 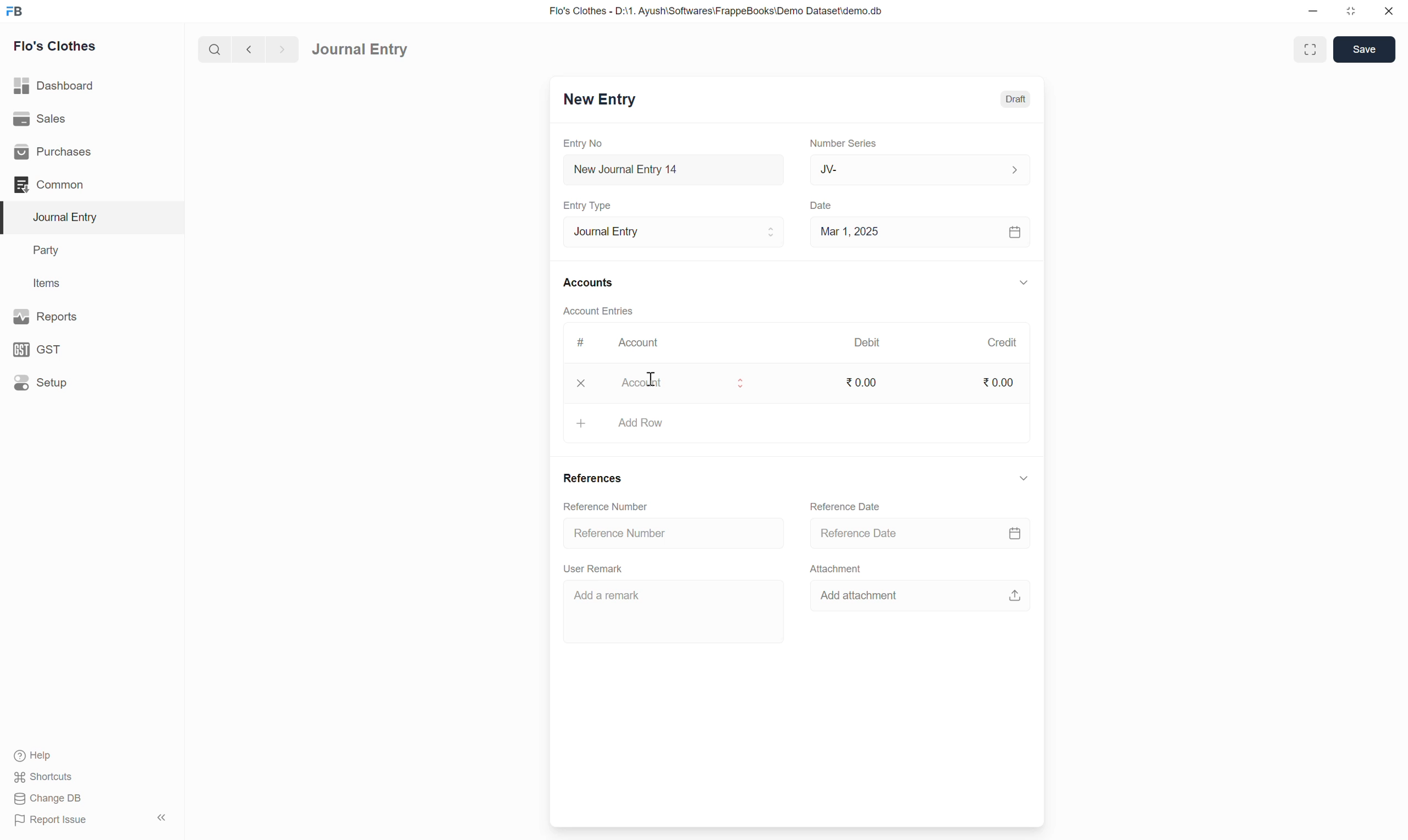 I want to click on +, so click(x=582, y=422).